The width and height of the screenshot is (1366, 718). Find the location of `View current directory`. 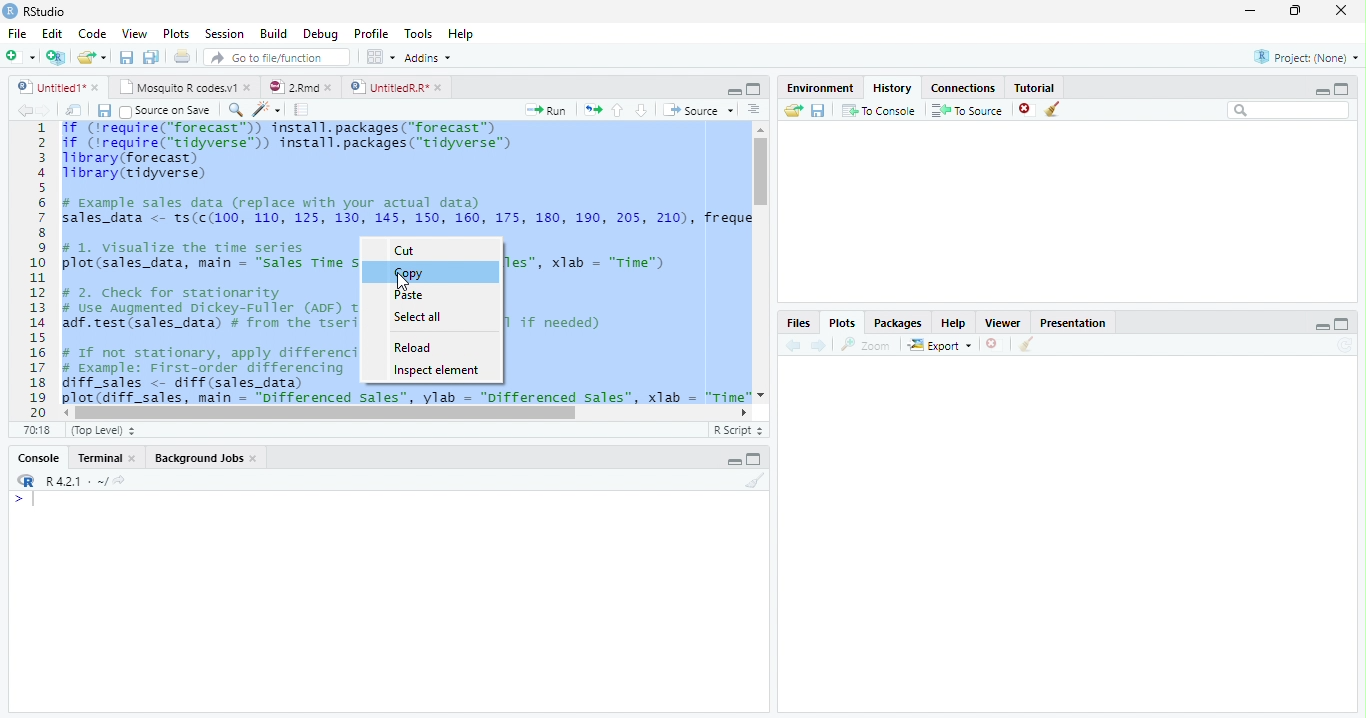

View current directory is located at coordinates (121, 481).